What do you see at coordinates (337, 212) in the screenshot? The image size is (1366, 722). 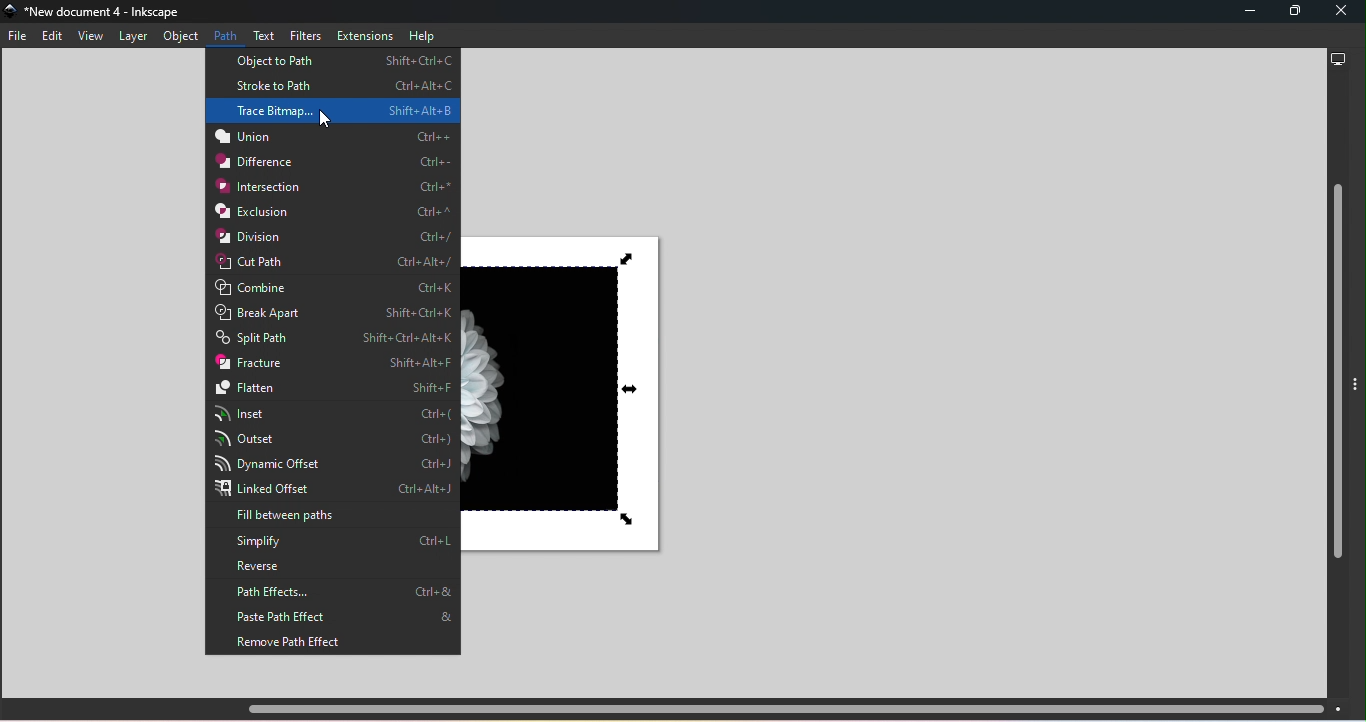 I see `Exclusion` at bounding box center [337, 212].